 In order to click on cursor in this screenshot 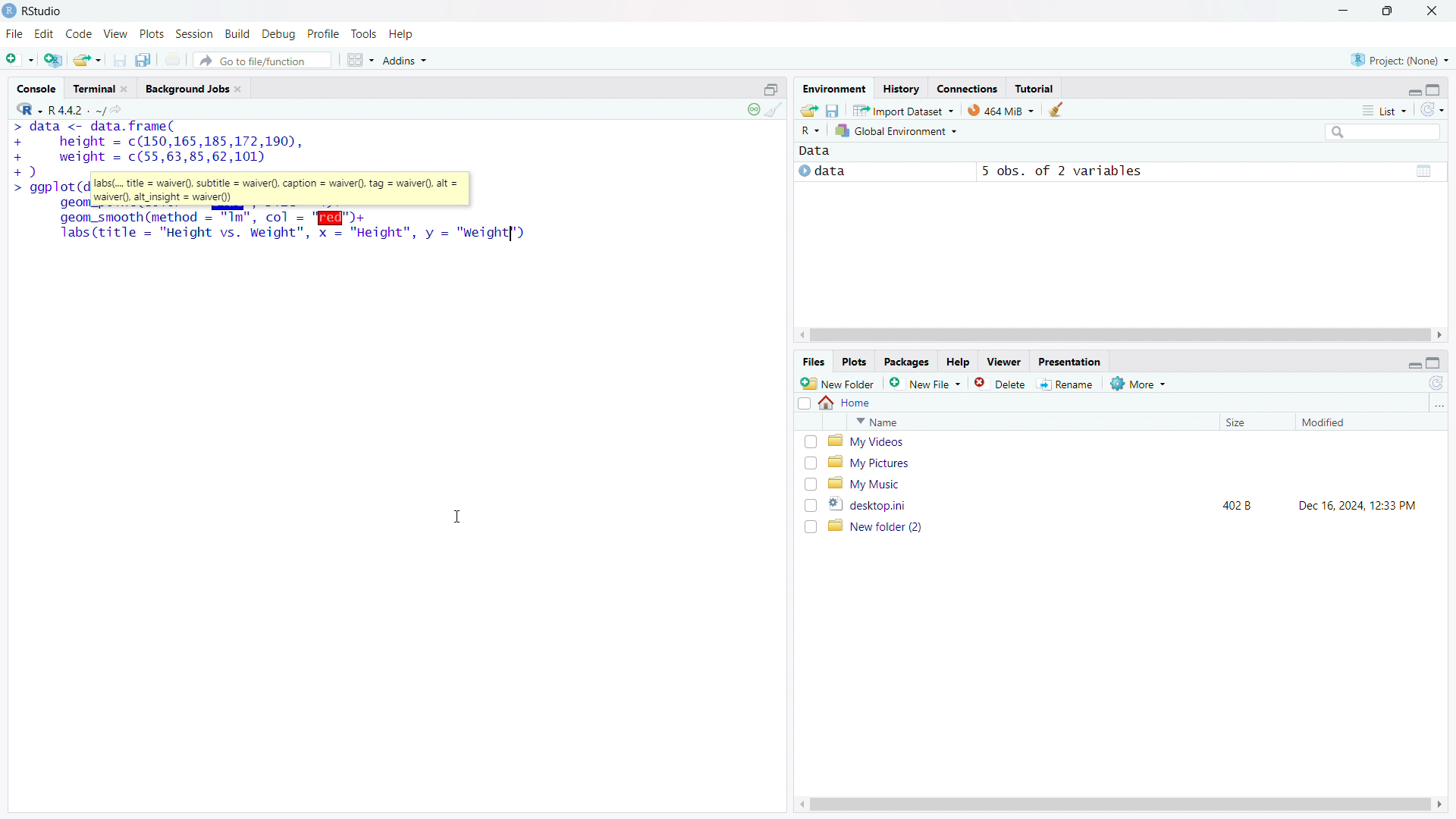, I will do `click(457, 517)`.